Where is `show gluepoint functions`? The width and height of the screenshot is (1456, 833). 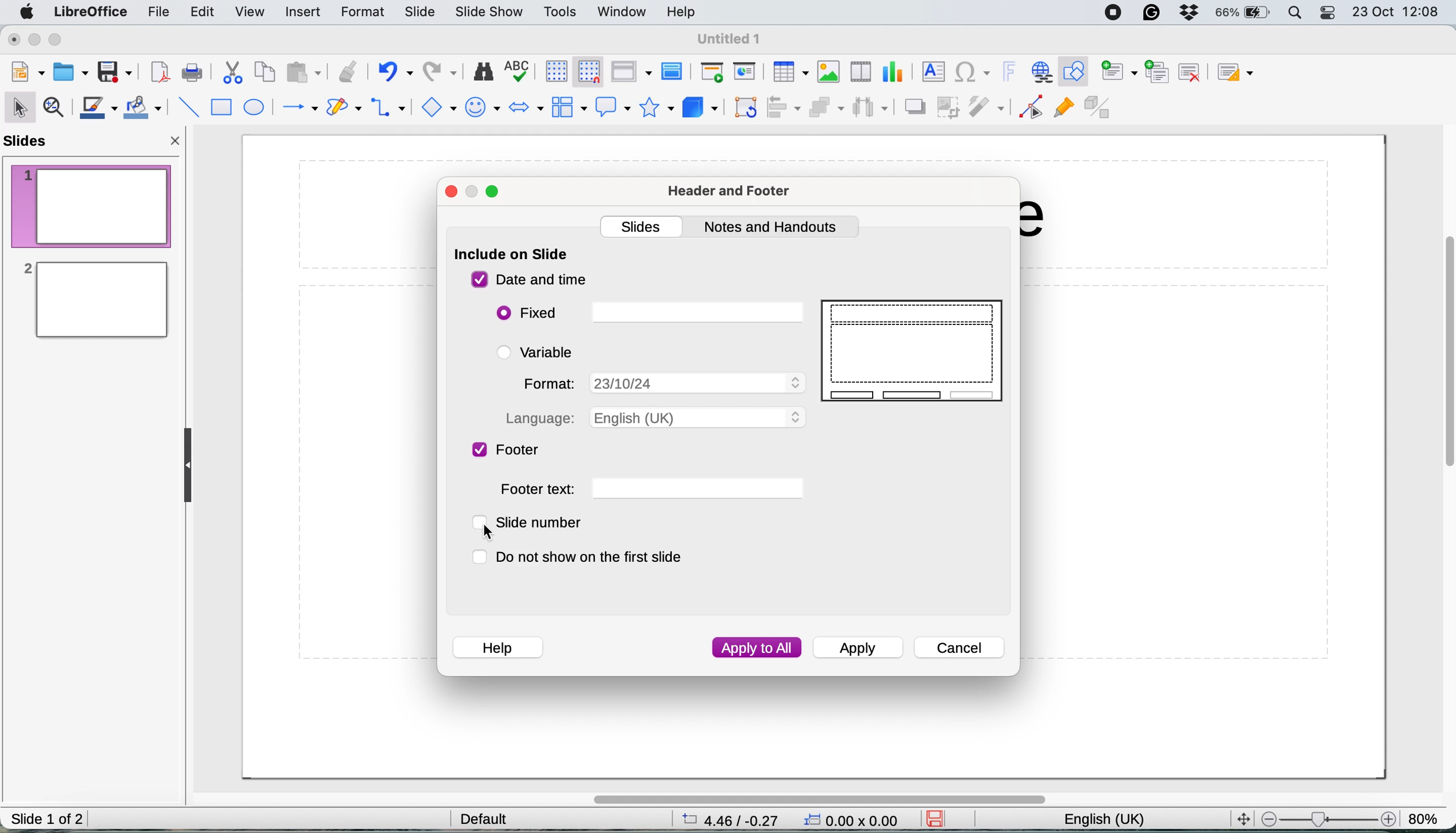 show gluepoint functions is located at coordinates (1063, 110).